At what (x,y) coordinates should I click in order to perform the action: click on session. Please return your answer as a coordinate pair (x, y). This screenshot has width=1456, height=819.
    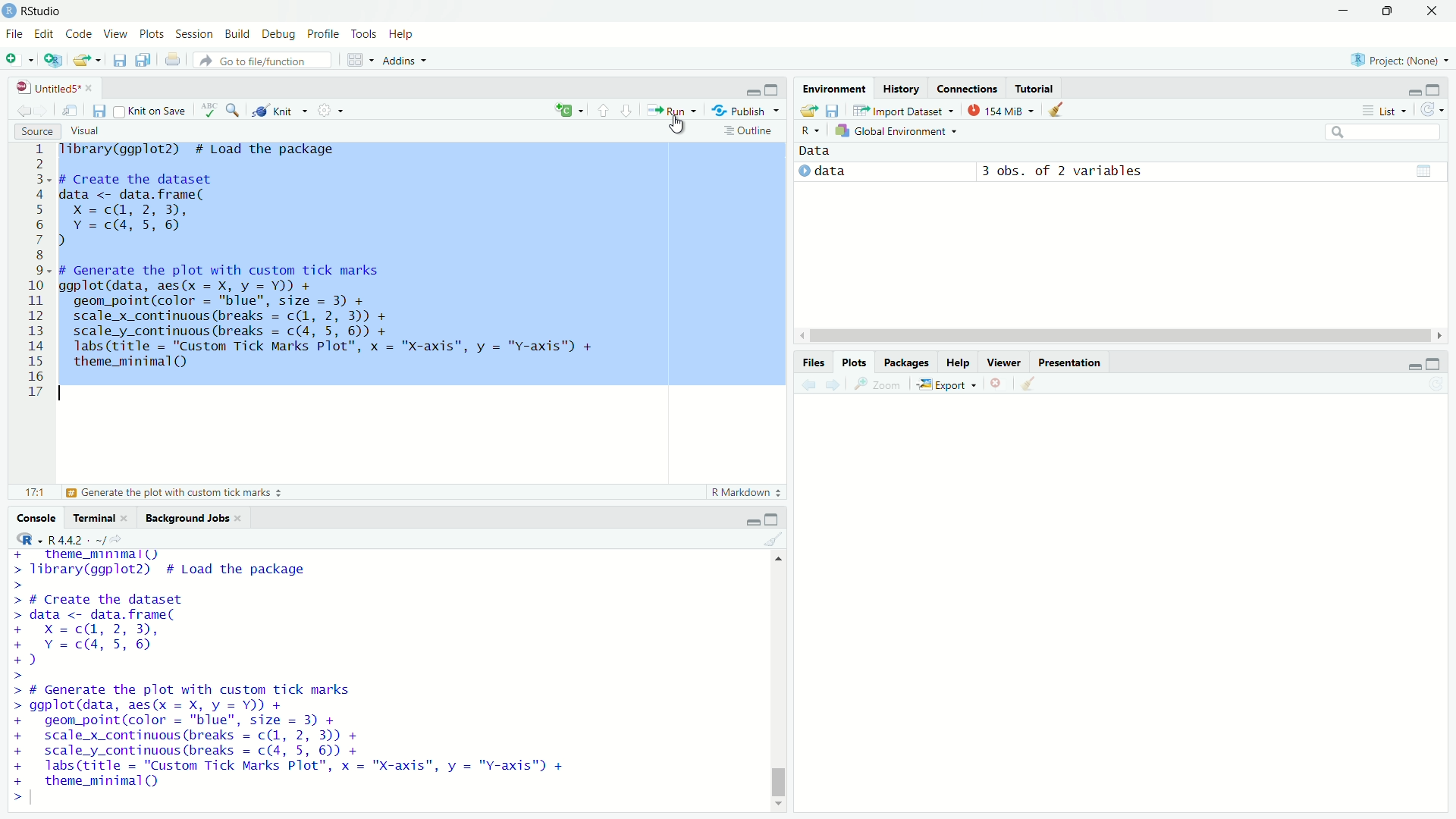
    Looking at the image, I should click on (194, 34).